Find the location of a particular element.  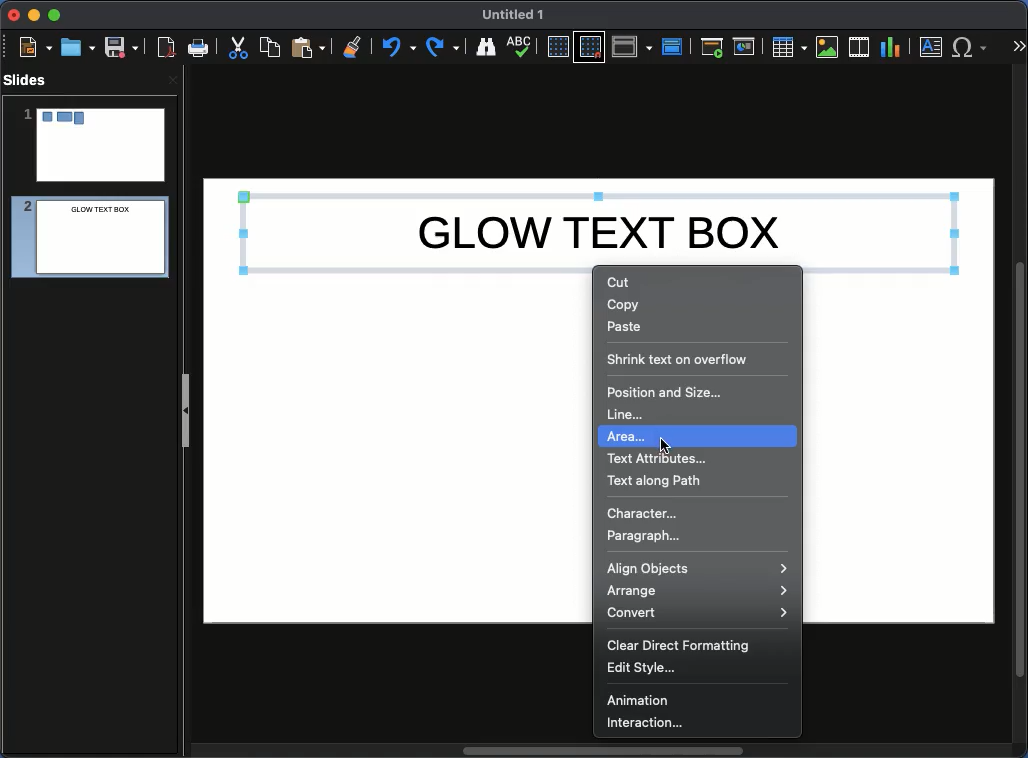

Save is located at coordinates (123, 46).